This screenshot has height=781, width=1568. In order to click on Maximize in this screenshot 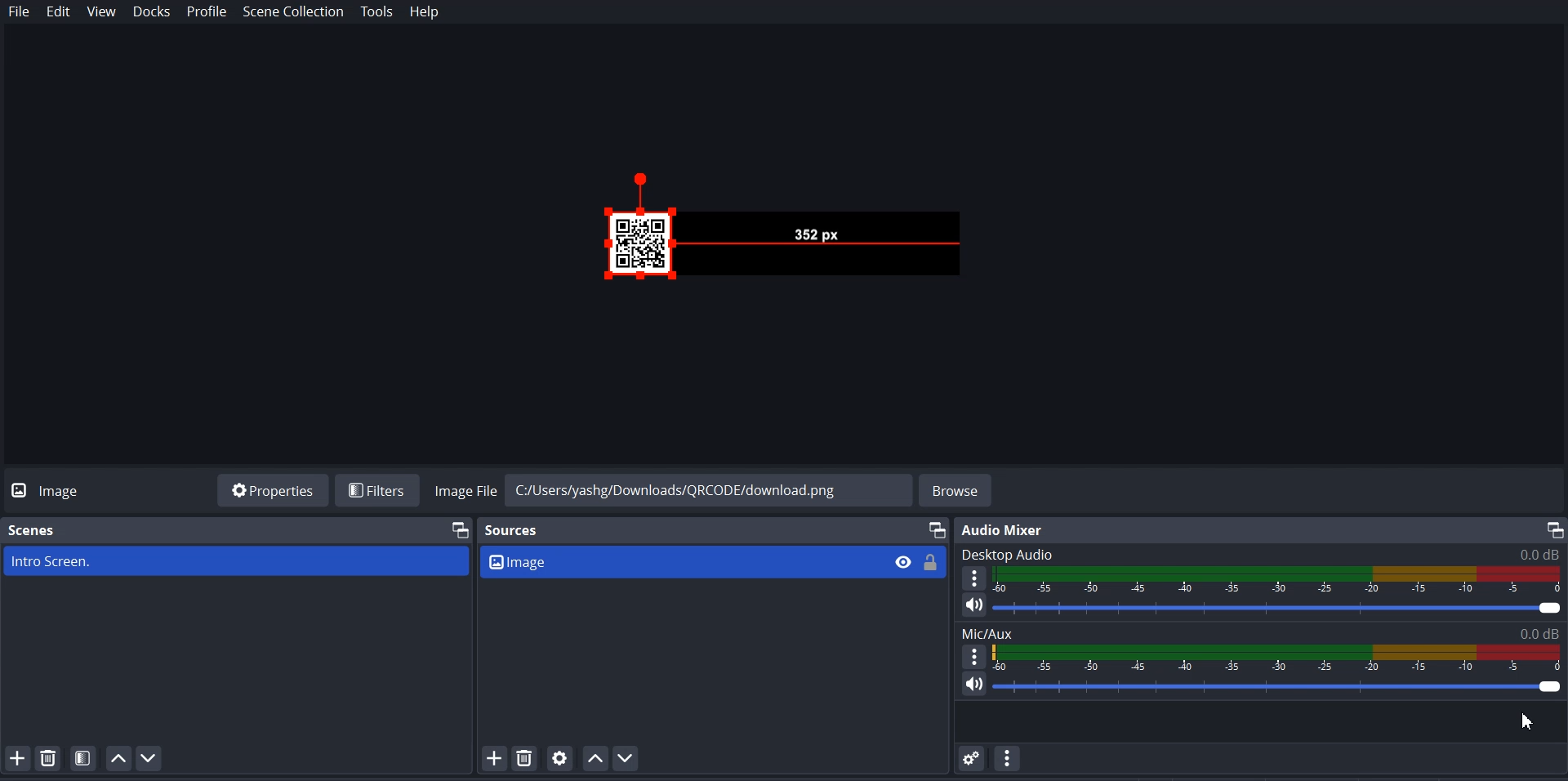, I will do `click(1553, 529)`.